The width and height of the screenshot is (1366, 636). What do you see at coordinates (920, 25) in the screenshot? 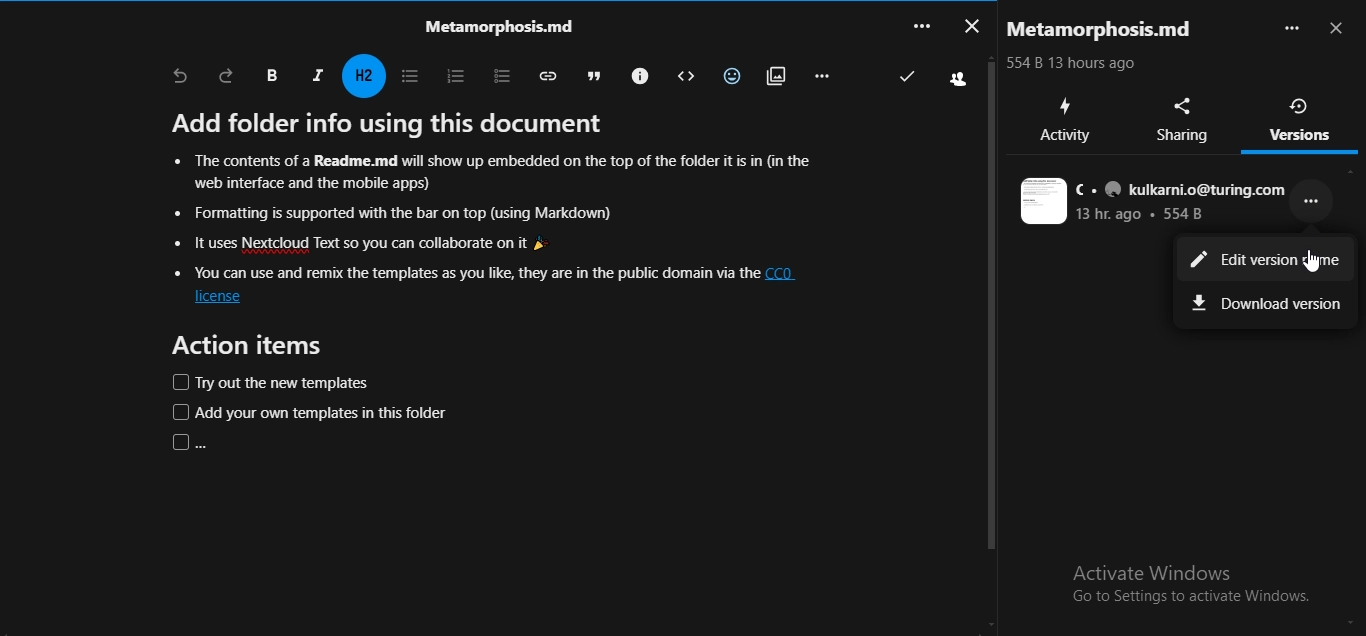
I see `...` at bounding box center [920, 25].